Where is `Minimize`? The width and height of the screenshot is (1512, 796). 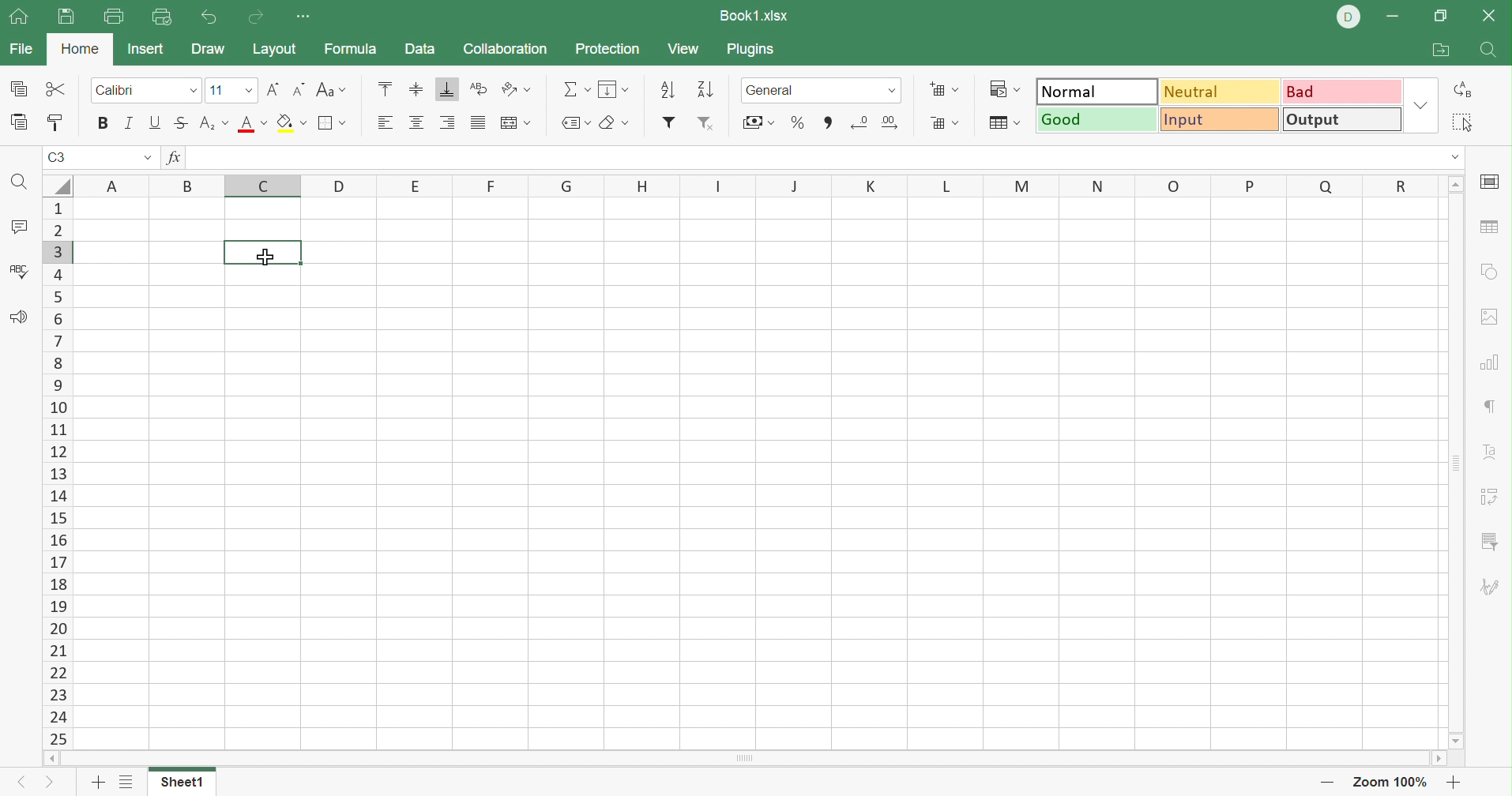 Minimize is located at coordinates (1393, 18).